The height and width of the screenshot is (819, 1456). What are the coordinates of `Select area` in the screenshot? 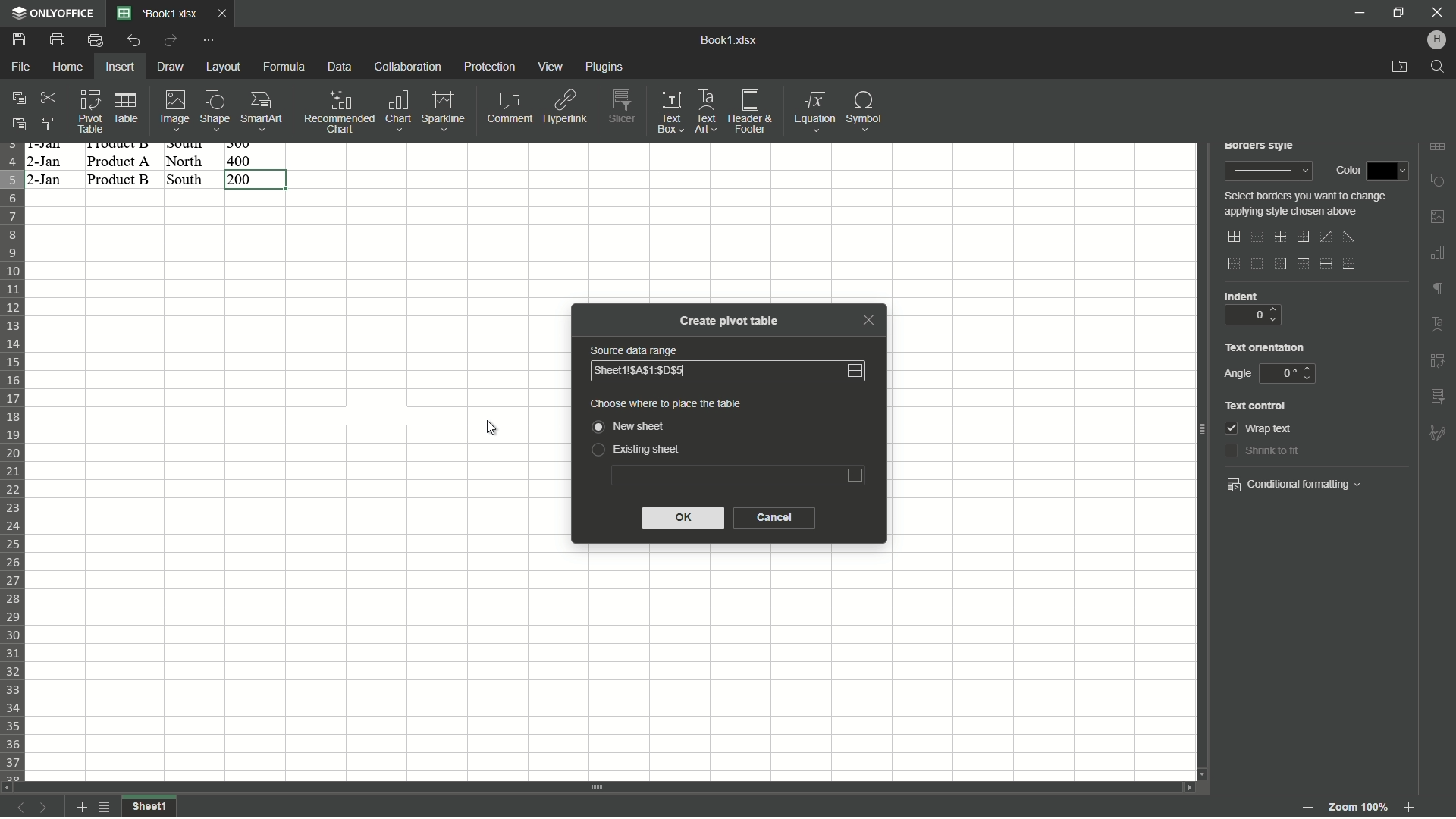 It's located at (855, 369).